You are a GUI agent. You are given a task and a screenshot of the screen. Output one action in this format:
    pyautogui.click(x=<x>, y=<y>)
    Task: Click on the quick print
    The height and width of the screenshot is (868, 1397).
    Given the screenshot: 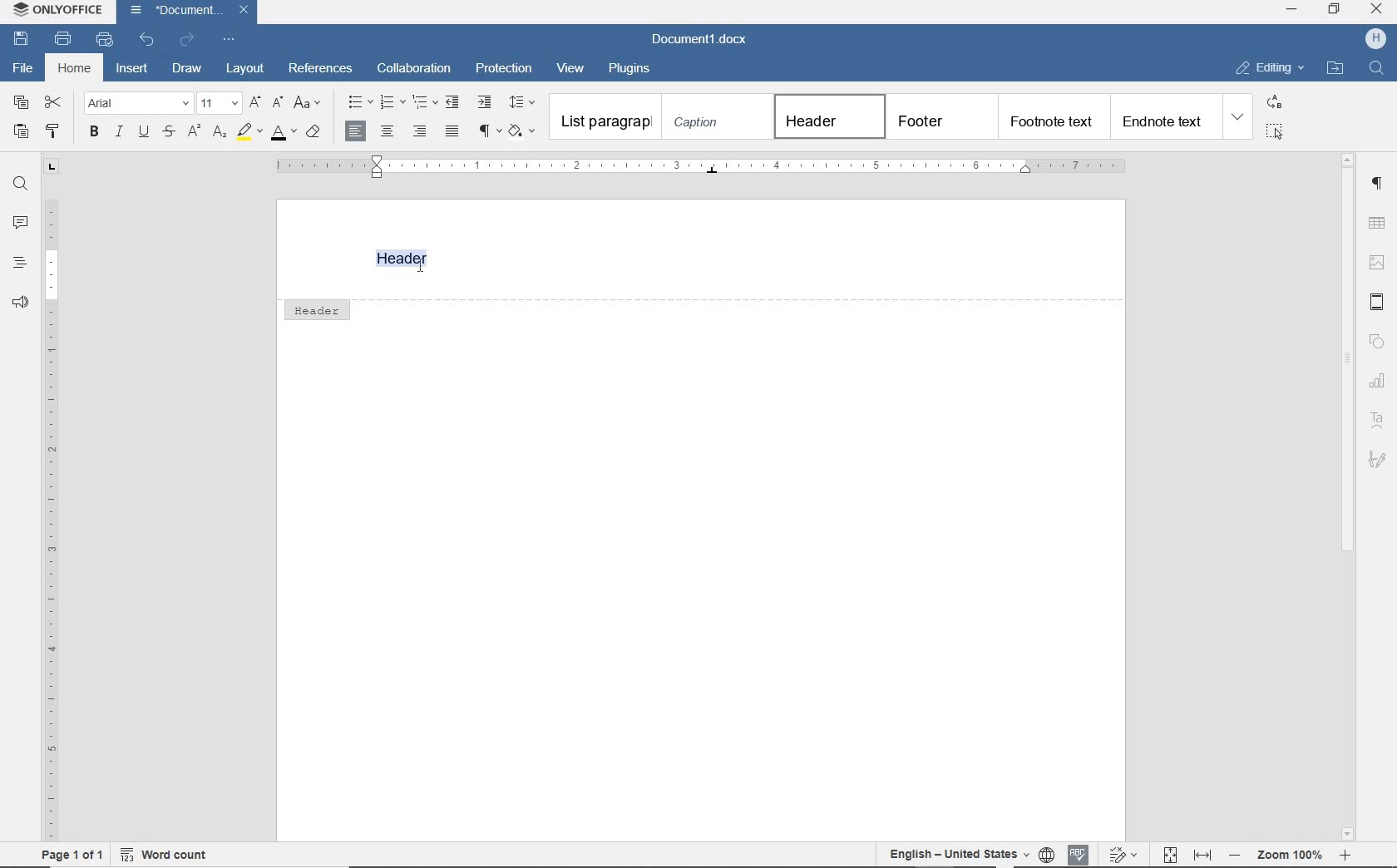 What is the action you would take?
    pyautogui.click(x=103, y=40)
    